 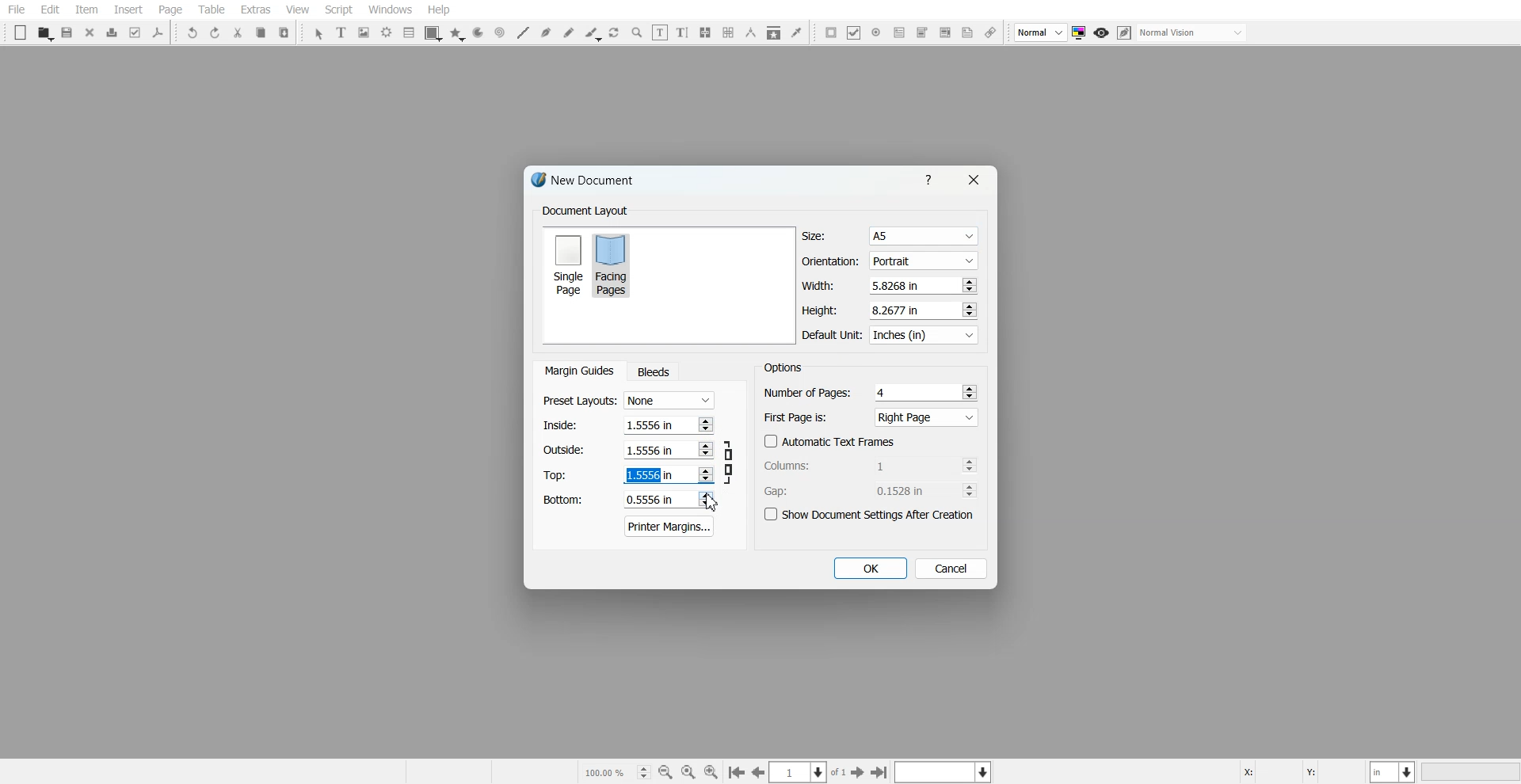 What do you see at coordinates (90, 32) in the screenshot?
I see `Close` at bounding box center [90, 32].